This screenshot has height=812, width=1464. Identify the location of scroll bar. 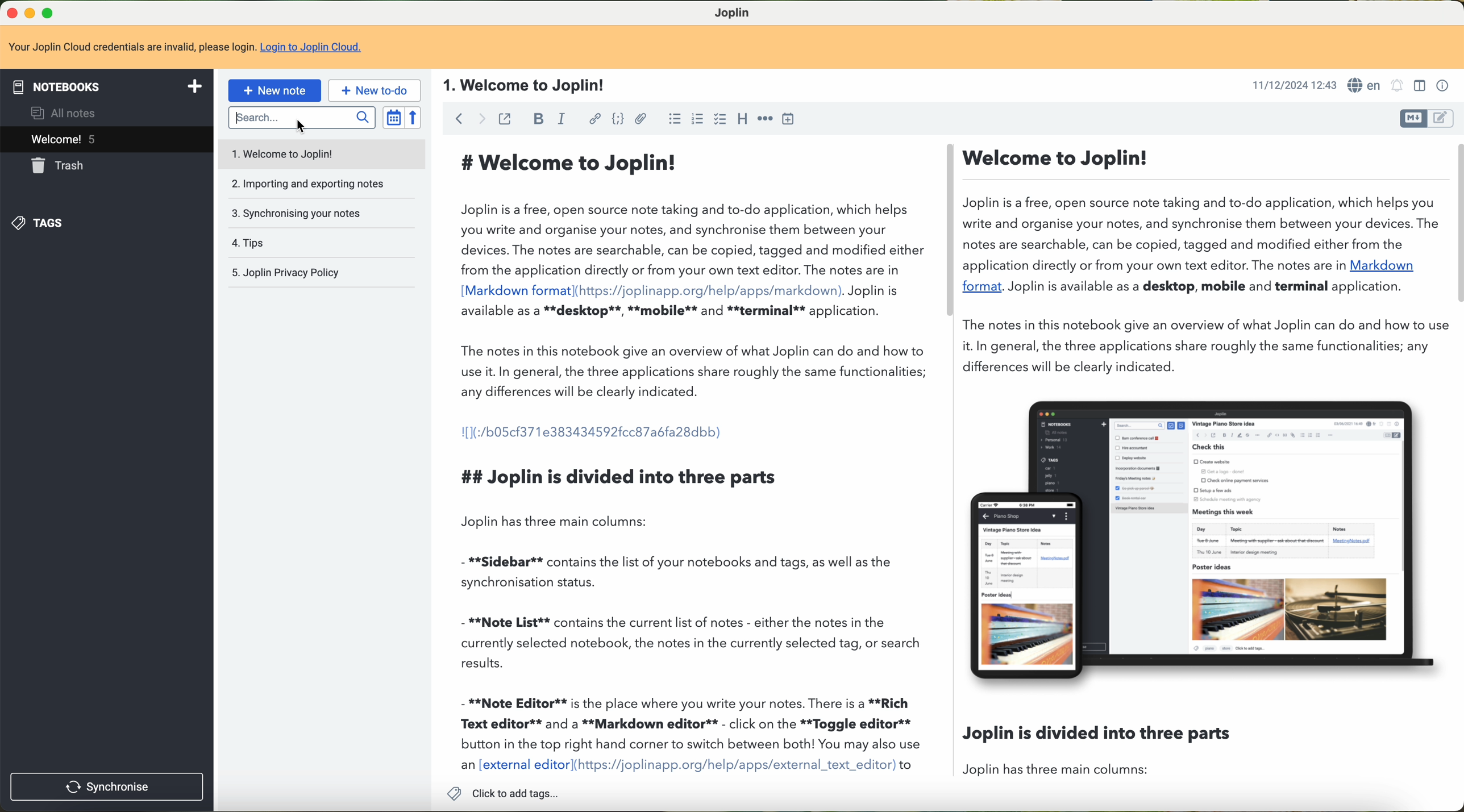
(949, 232).